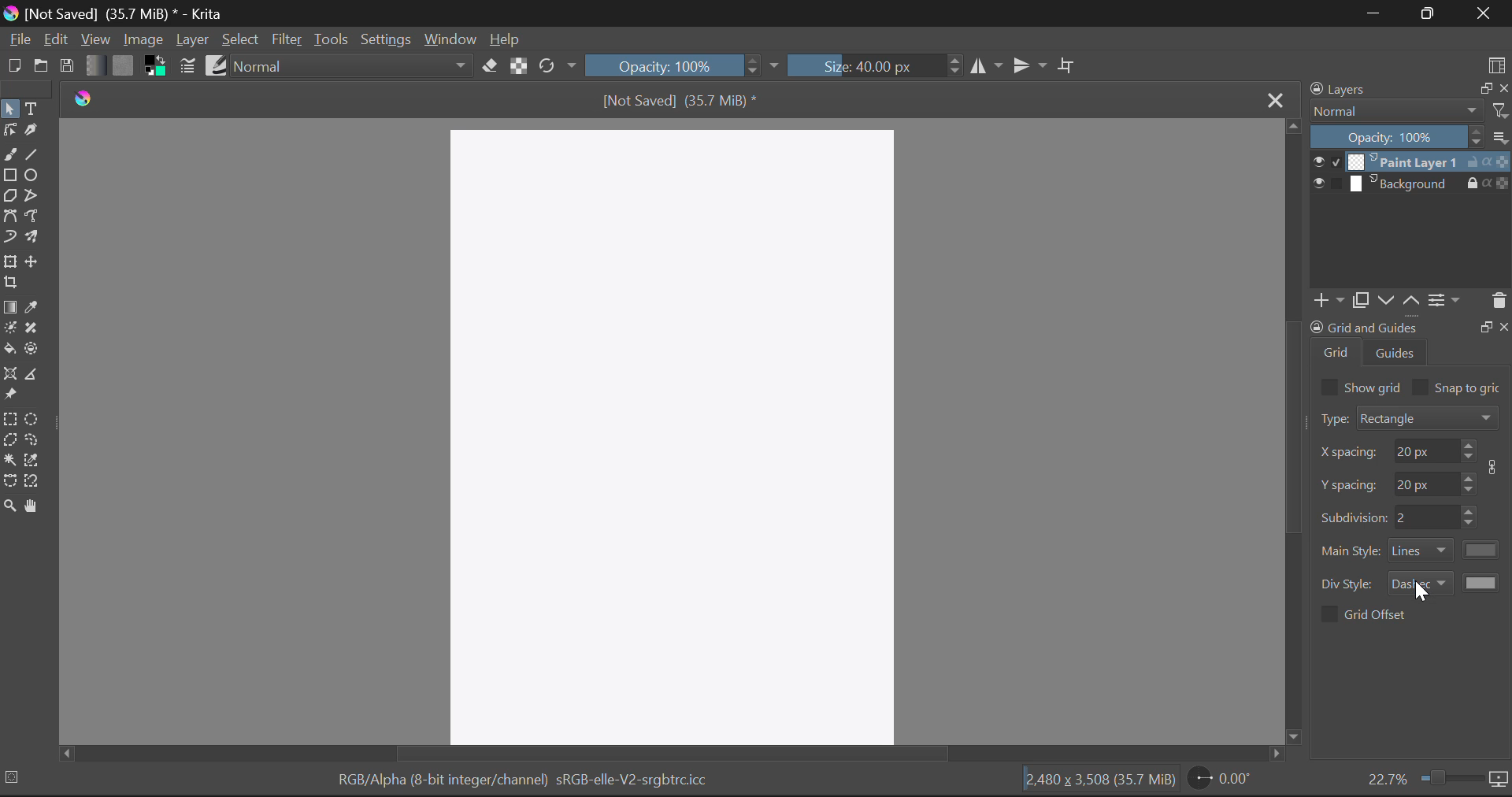  Describe the element at coordinates (1429, 417) in the screenshot. I see `rectangle` at that location.